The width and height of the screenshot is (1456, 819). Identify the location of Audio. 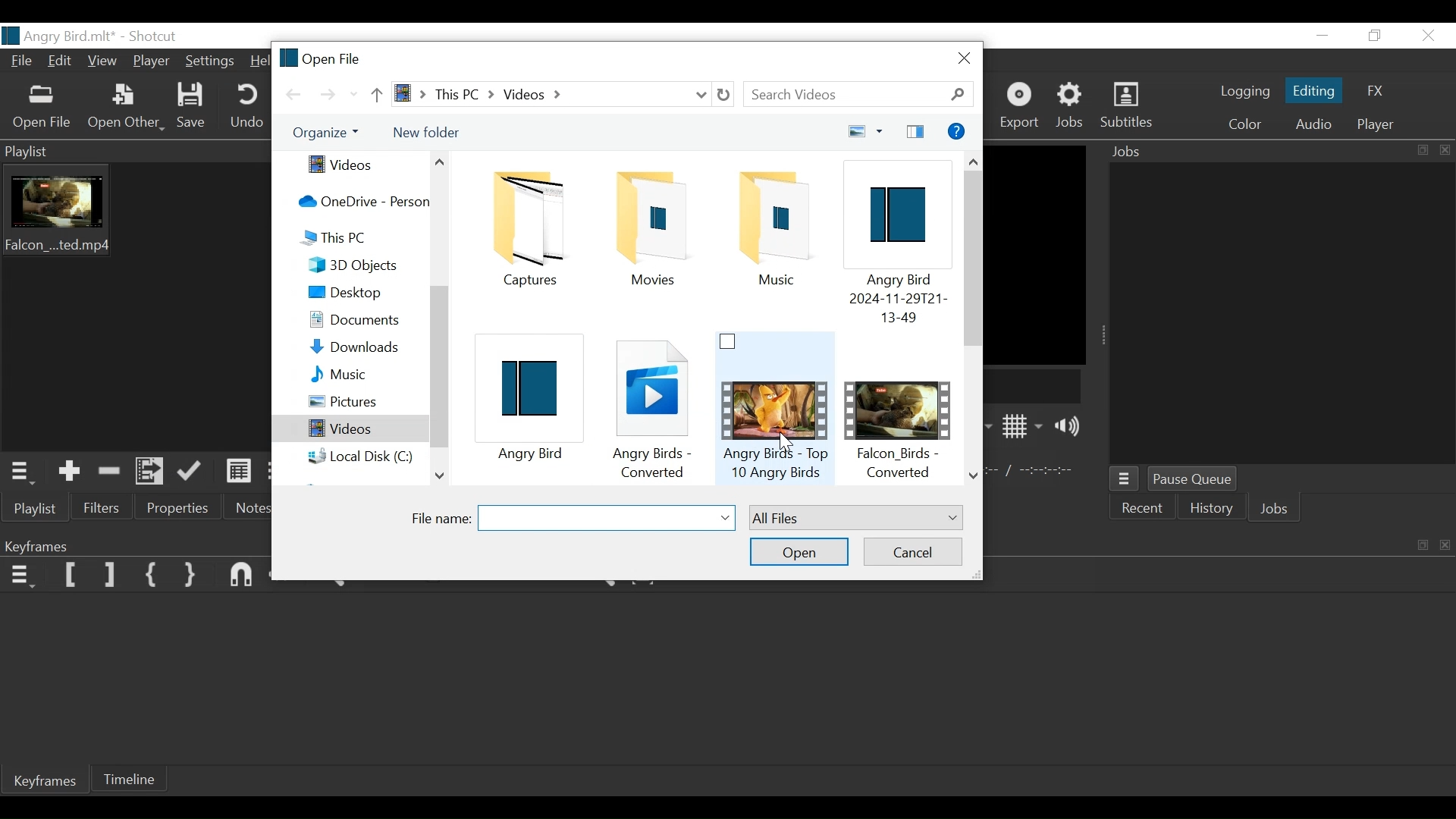
(1316, 124).